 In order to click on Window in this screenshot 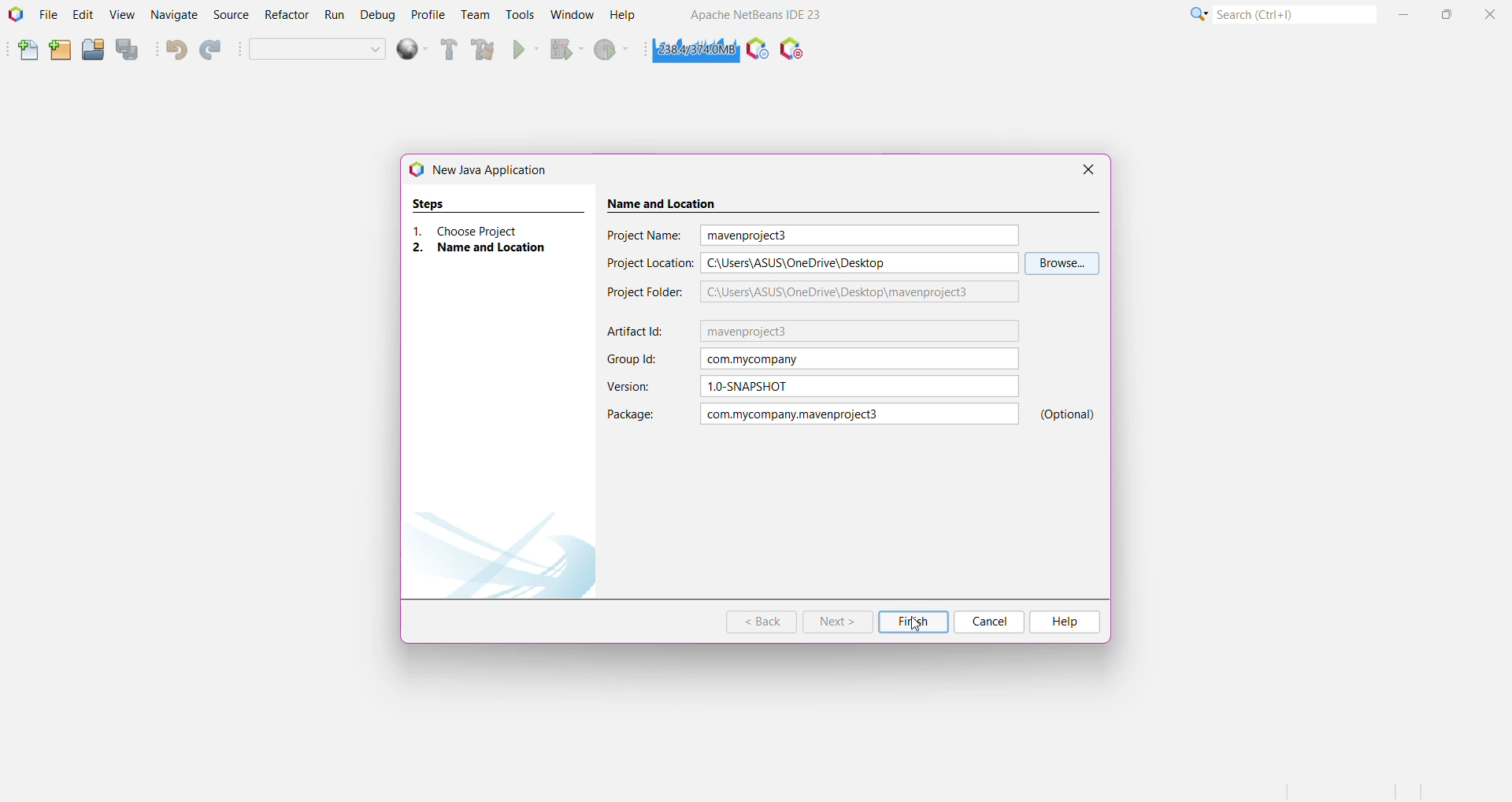, I will do `click(569, 16)`.